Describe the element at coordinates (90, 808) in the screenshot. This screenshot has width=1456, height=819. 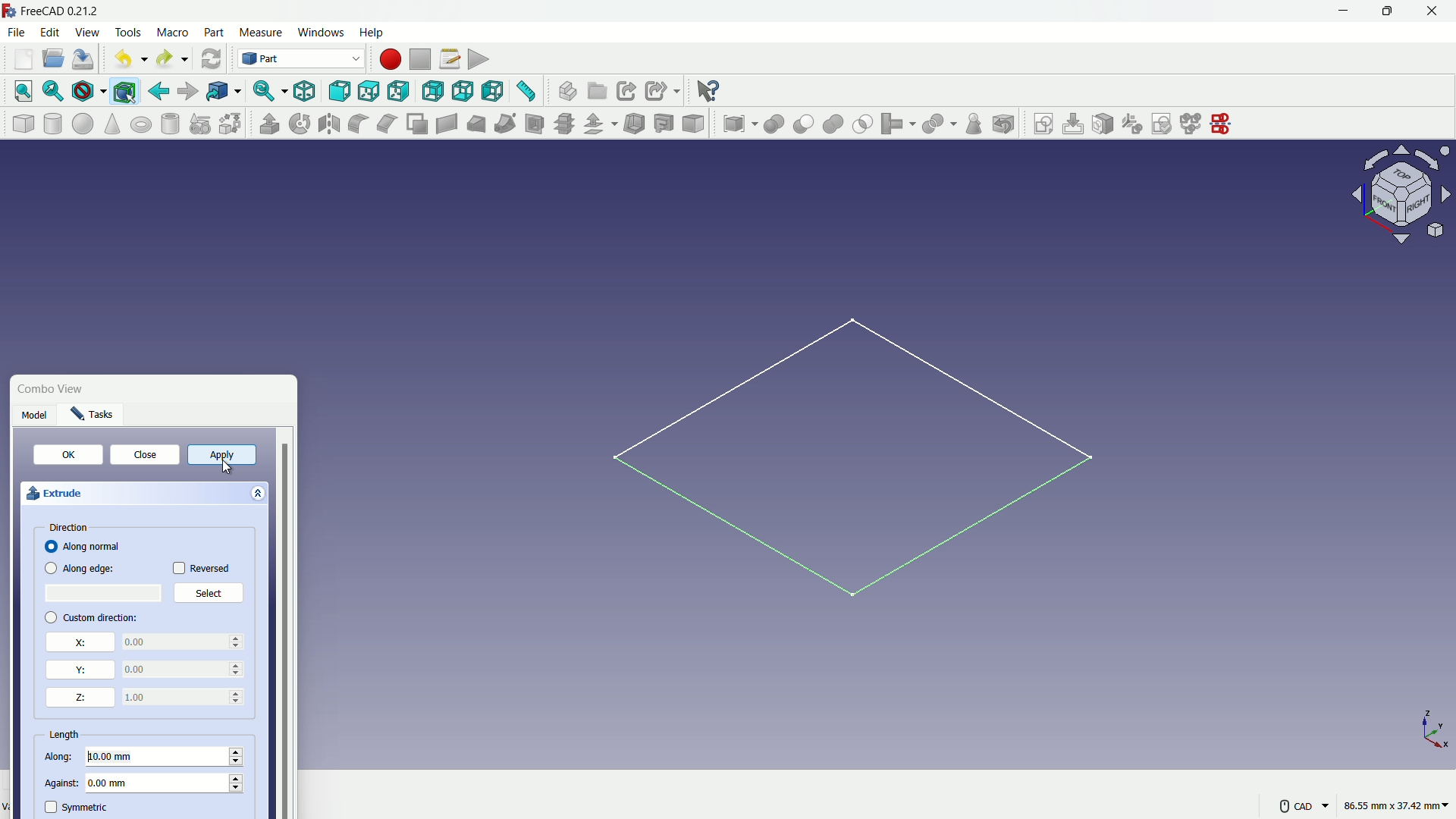
I see `symmetric` at that location.